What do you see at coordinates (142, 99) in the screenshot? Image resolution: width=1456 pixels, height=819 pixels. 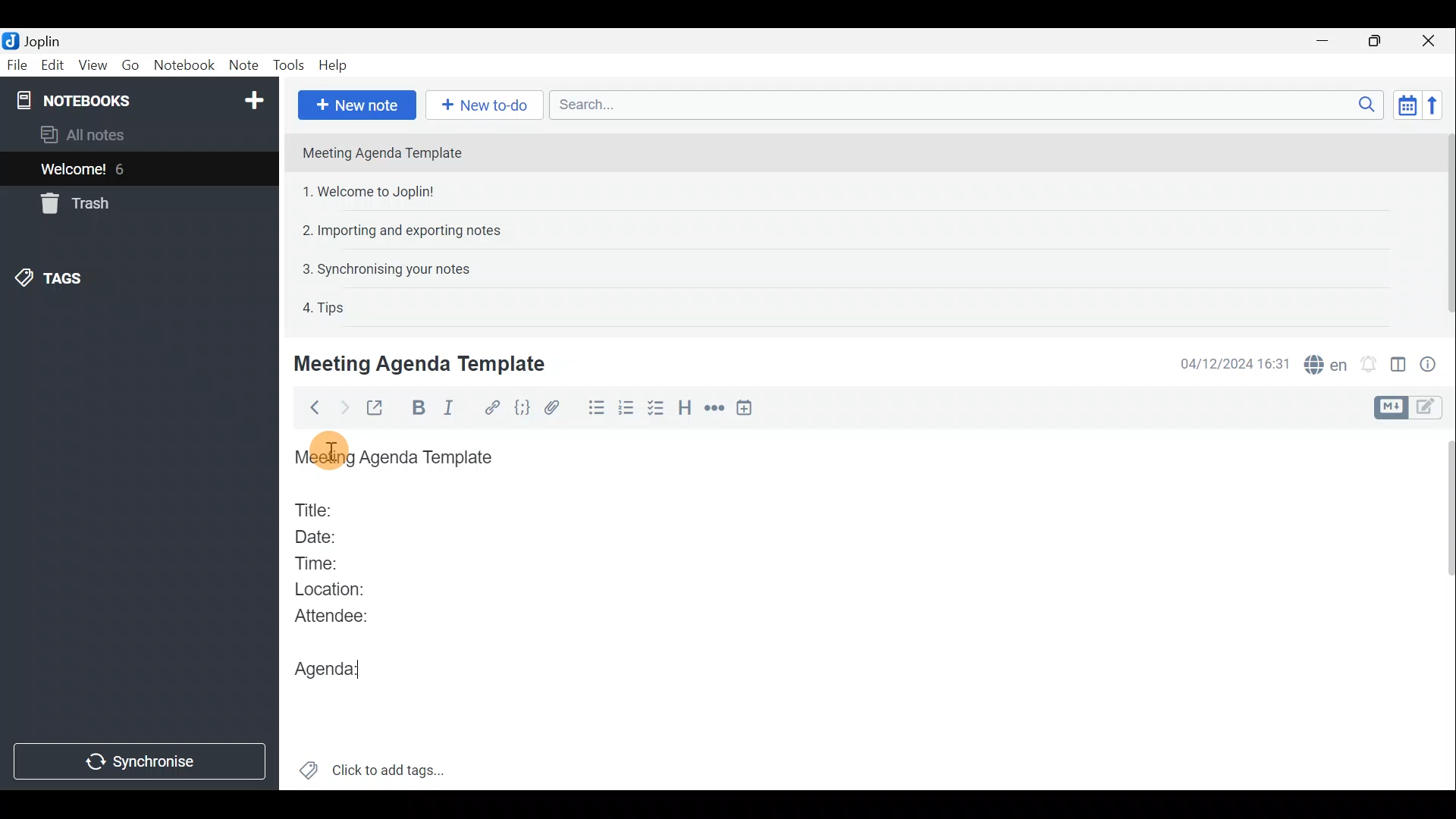 I see `Notebooks` at bounding box center [142, 99].